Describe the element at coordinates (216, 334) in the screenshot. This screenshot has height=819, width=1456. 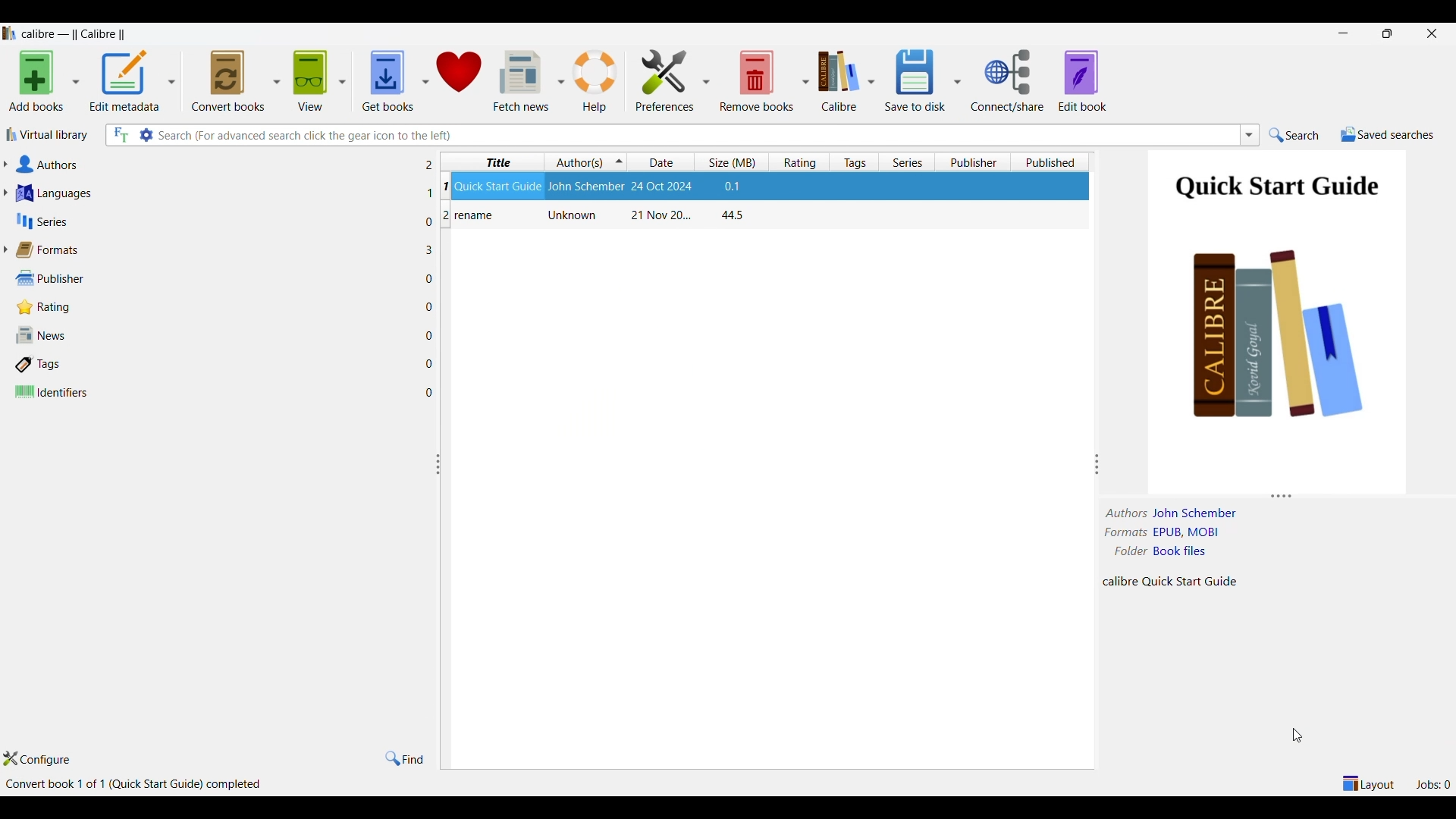
I see `News` at that location.